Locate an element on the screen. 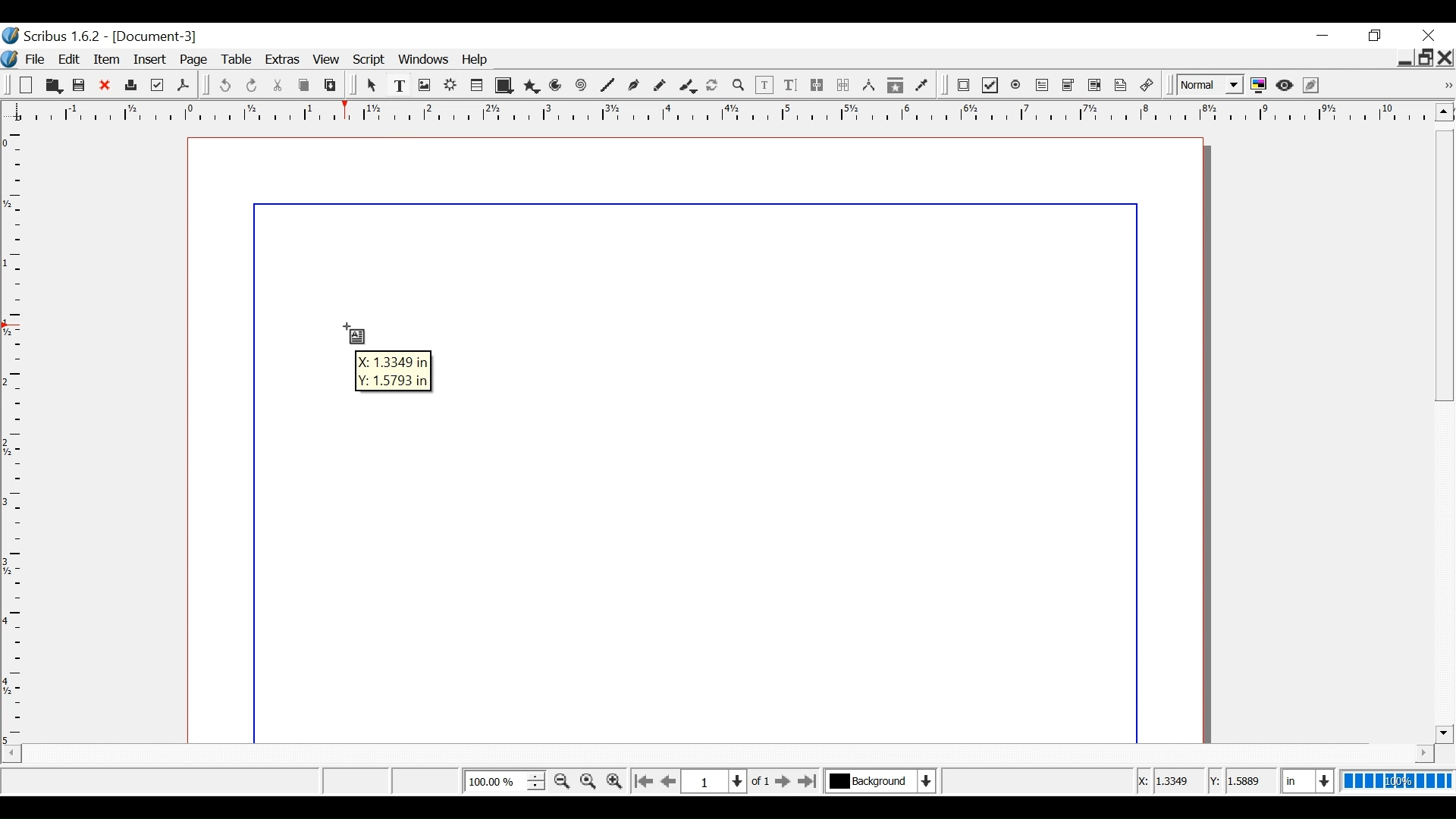 The image size is (1456, 819). Edit is located at coordinates (71, 59).